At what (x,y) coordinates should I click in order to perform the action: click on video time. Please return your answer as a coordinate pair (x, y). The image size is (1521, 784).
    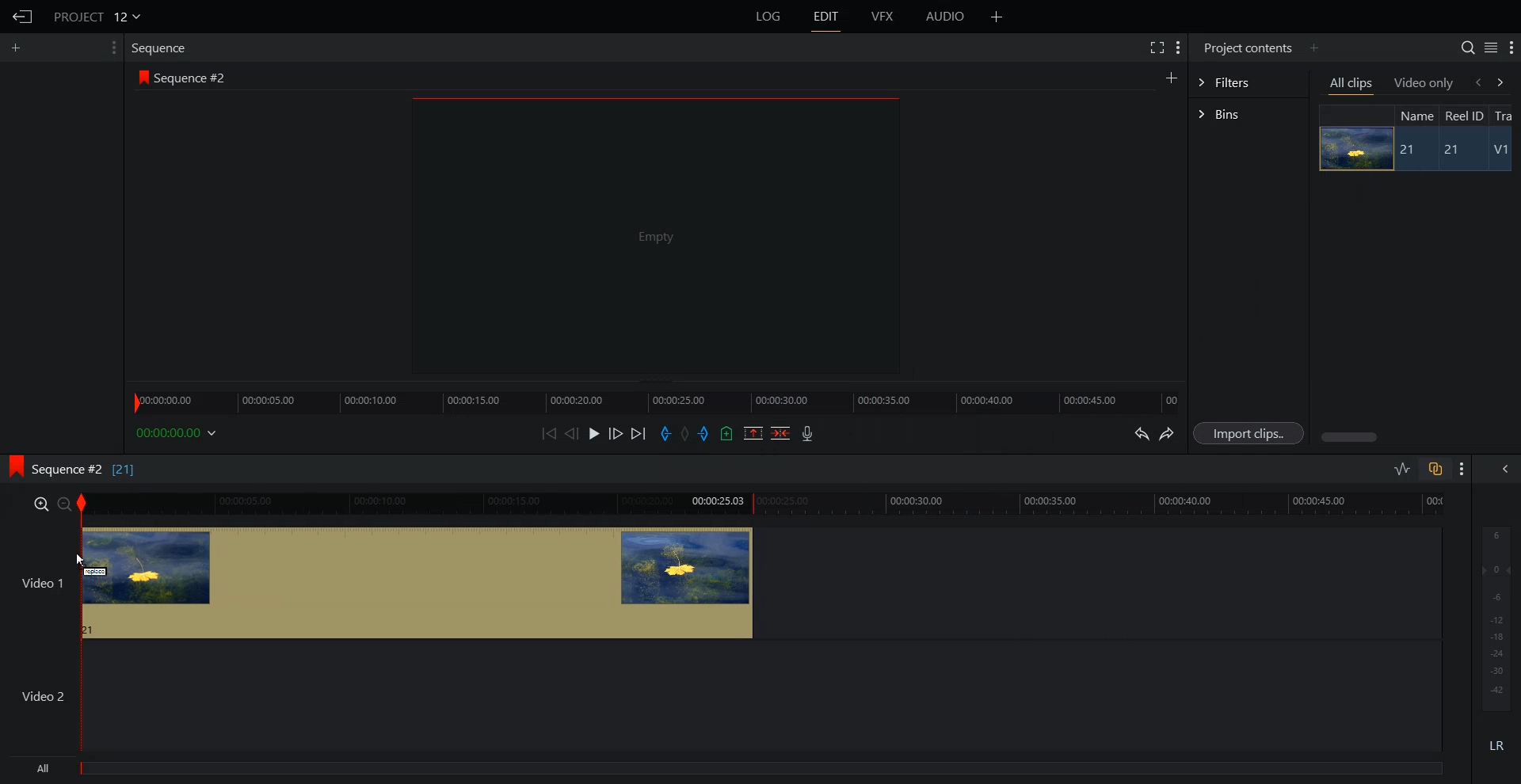
    Looking at the image, I should click on (765, 502).